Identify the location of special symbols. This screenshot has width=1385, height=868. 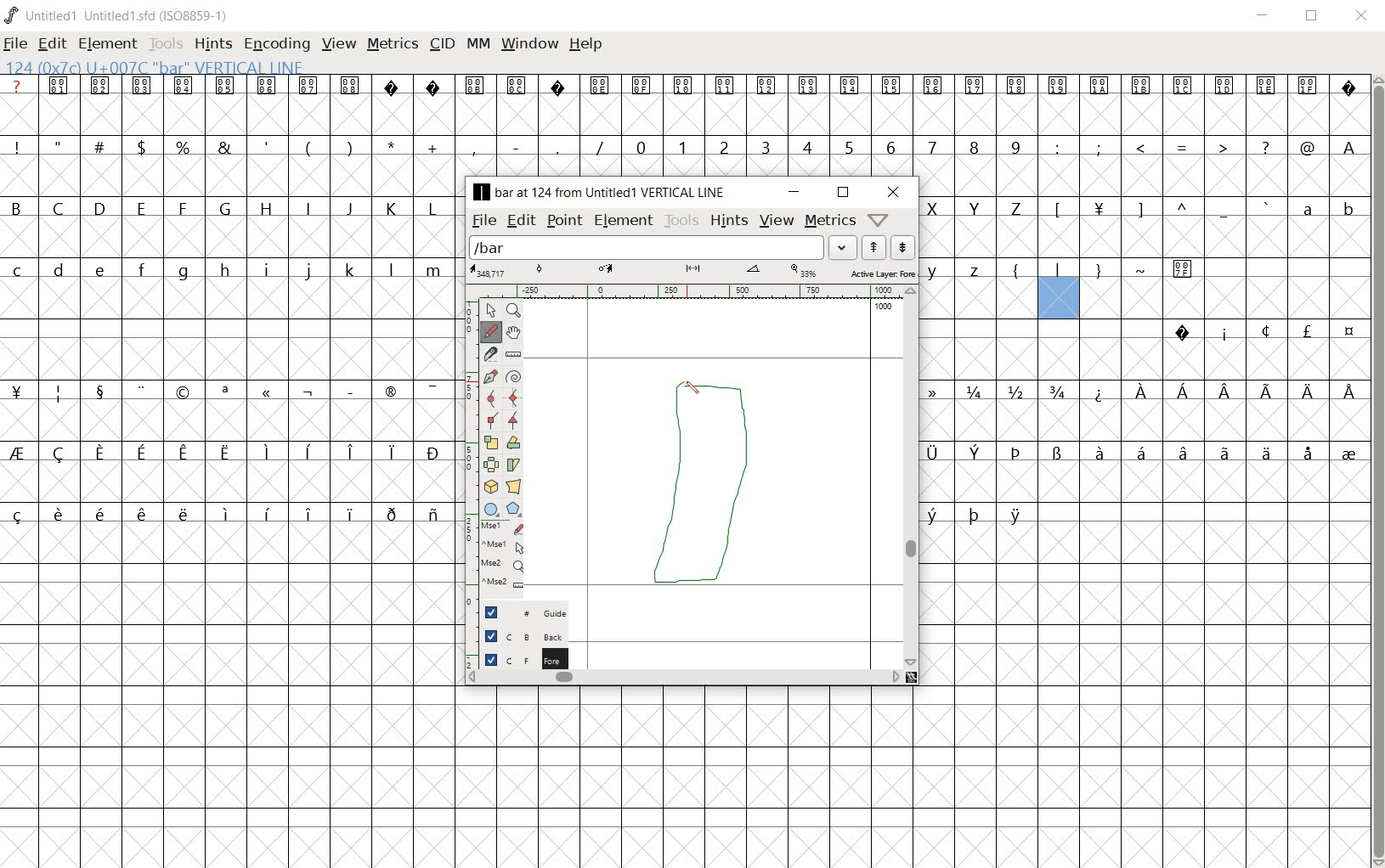
(1257, 332).